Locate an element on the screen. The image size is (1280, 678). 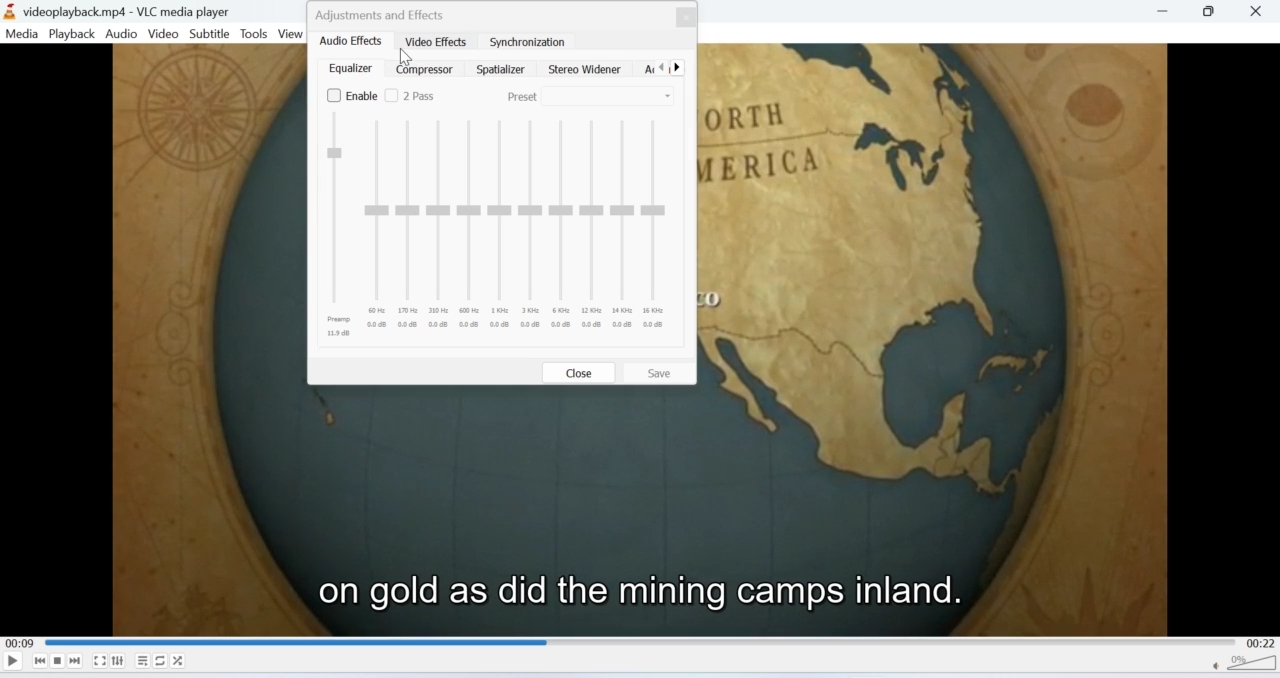
video effects is located at coordinates (439, 43).